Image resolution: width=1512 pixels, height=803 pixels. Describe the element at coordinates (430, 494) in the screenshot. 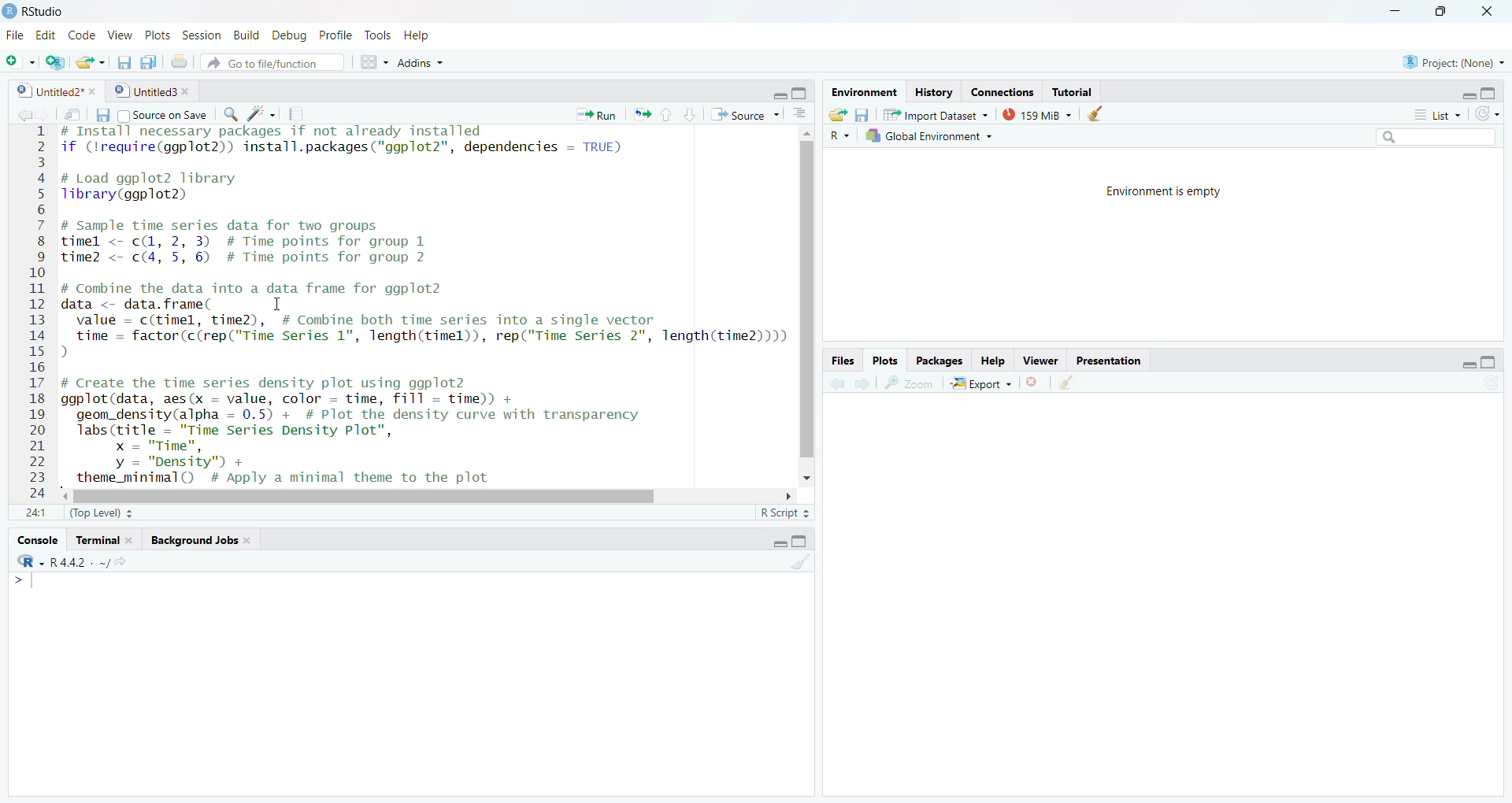

I see `Scroll` at that location.